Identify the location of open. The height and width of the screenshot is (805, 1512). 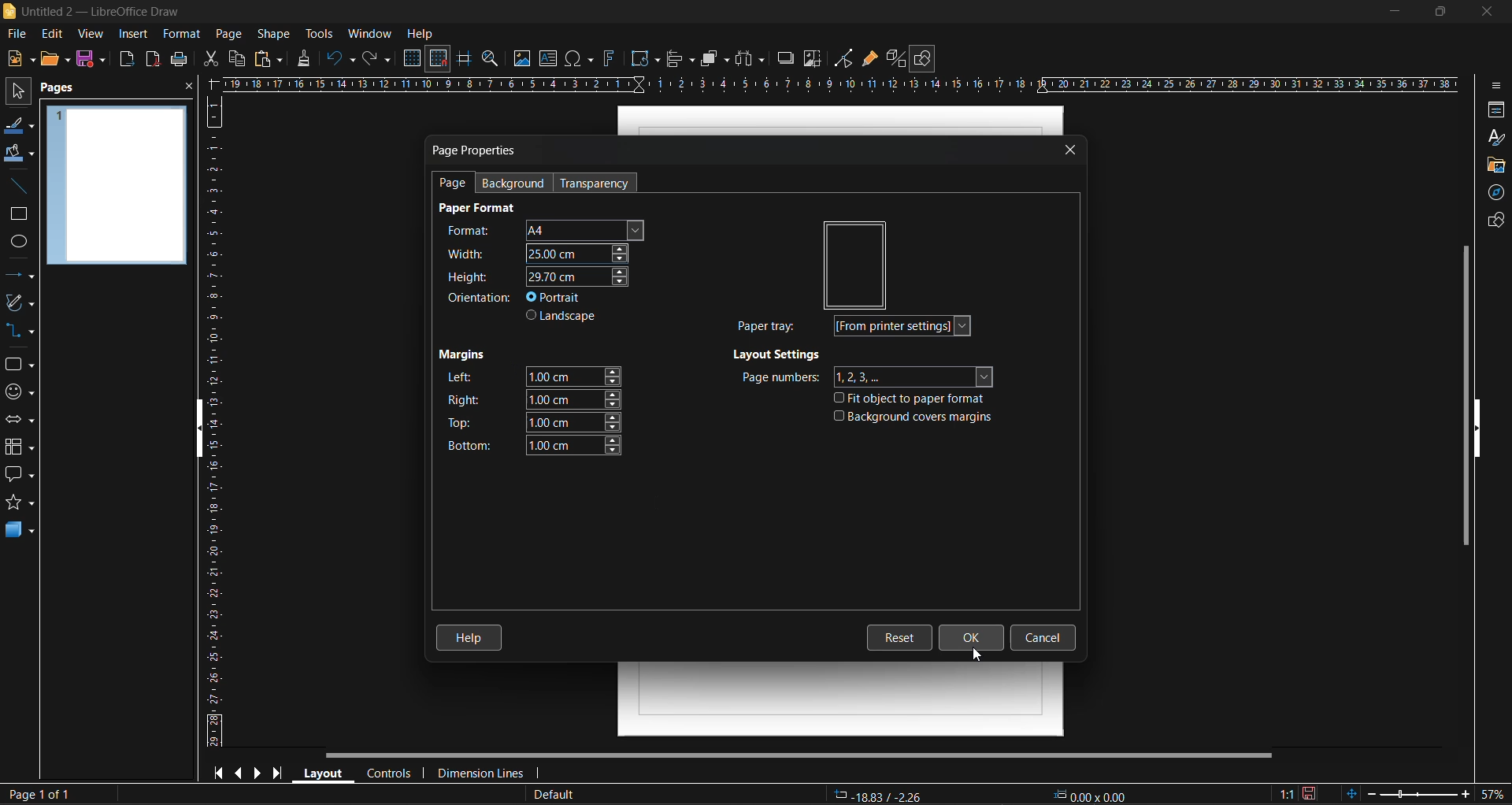
(54, 60).